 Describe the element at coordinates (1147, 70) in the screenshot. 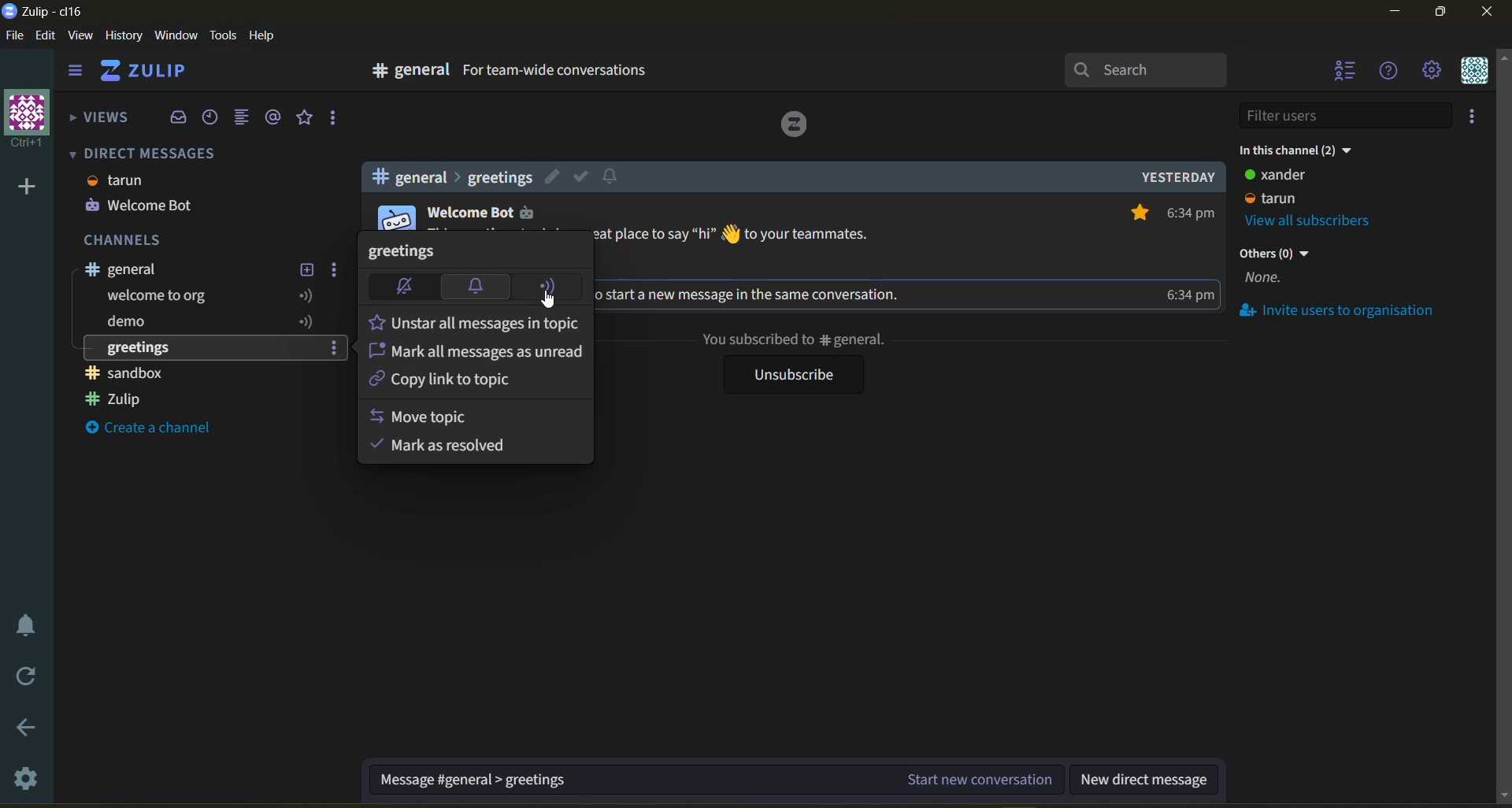

I see `search` at that location.